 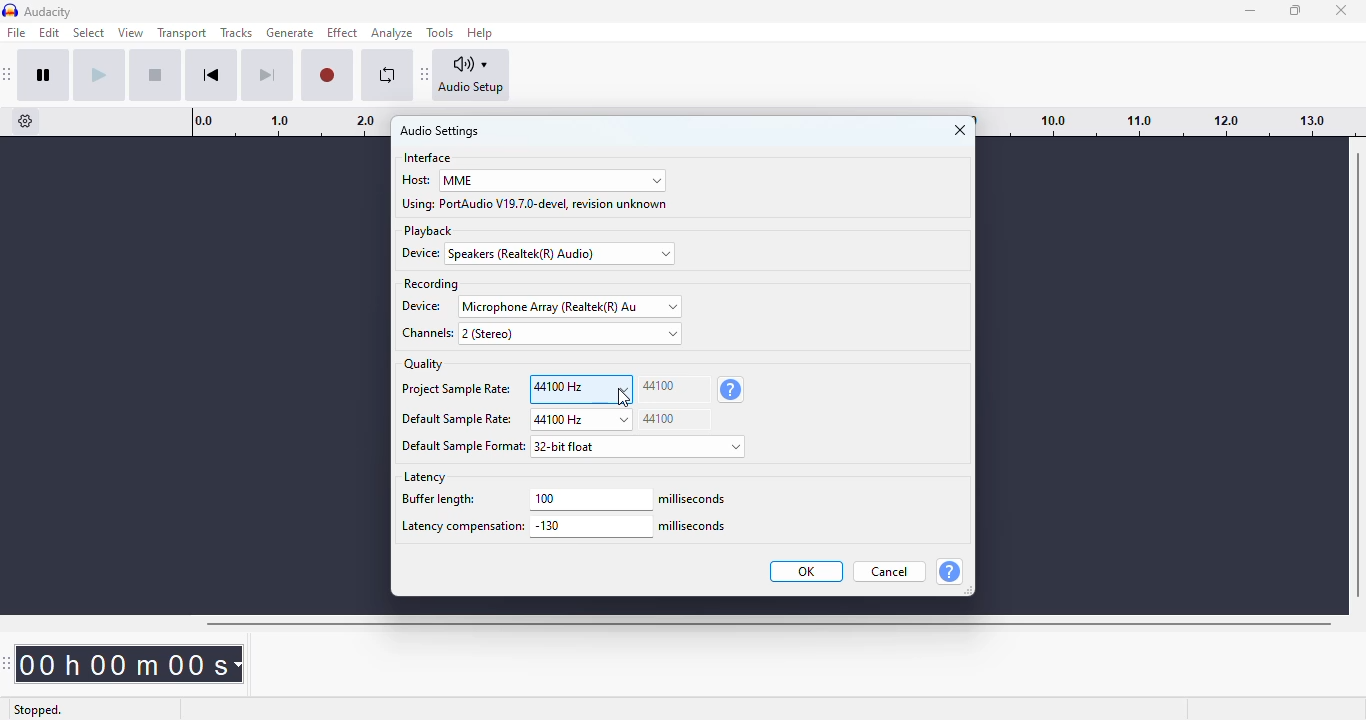 I want to click on select default sample format, so click(x=640, y=446).